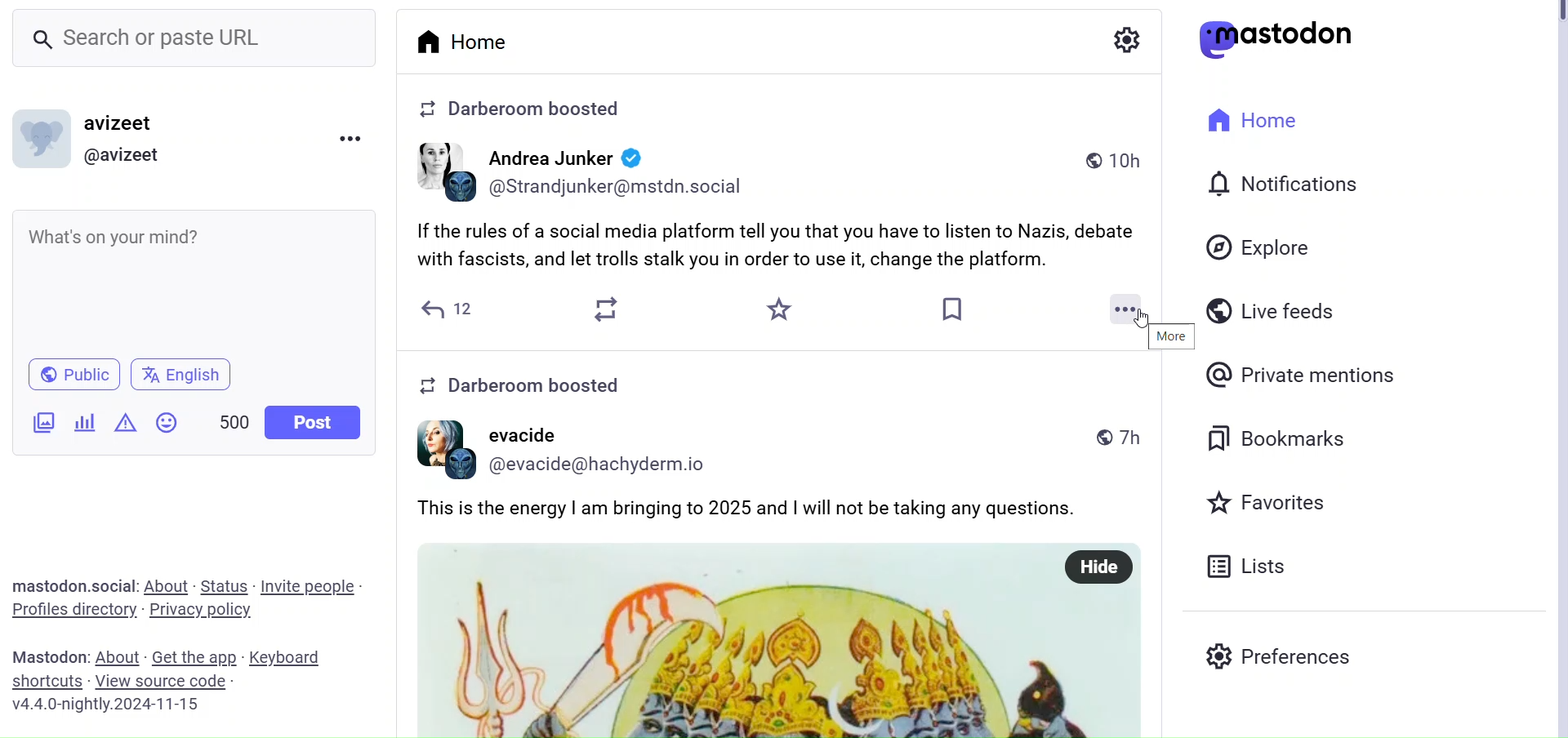 The image size is (1568, 738). Describe the element at coordinates (310, 585) in the screenshot. I see `Invite People` at that location.